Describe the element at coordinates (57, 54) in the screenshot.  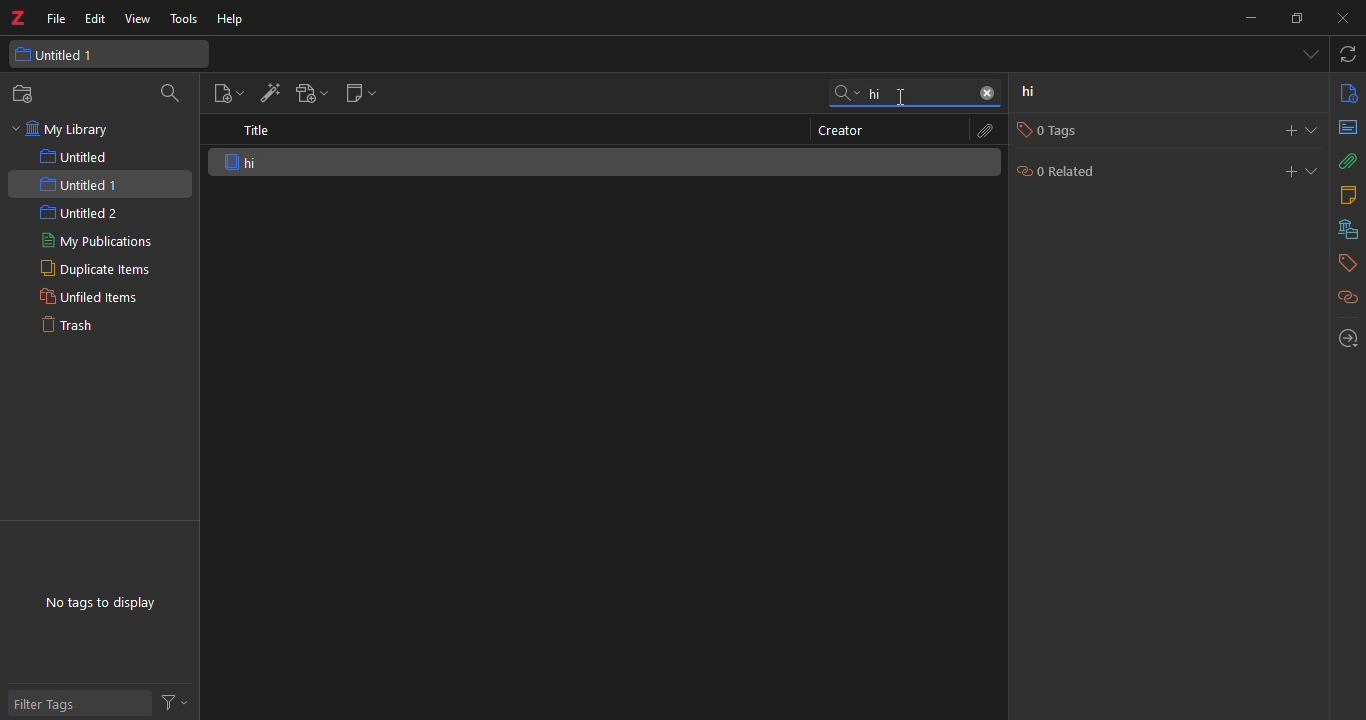
I see `untitled 1` at that location.